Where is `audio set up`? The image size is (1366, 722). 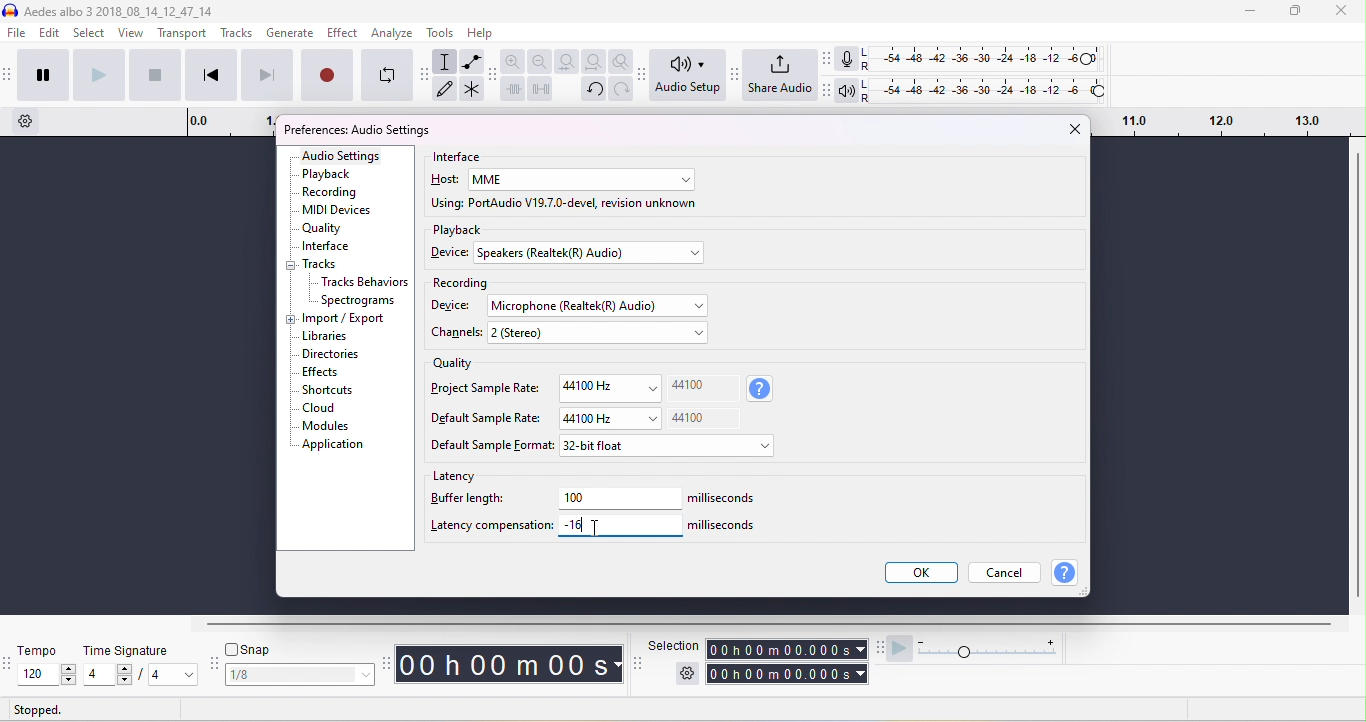 audio set up is located at coordinates (690, 75).